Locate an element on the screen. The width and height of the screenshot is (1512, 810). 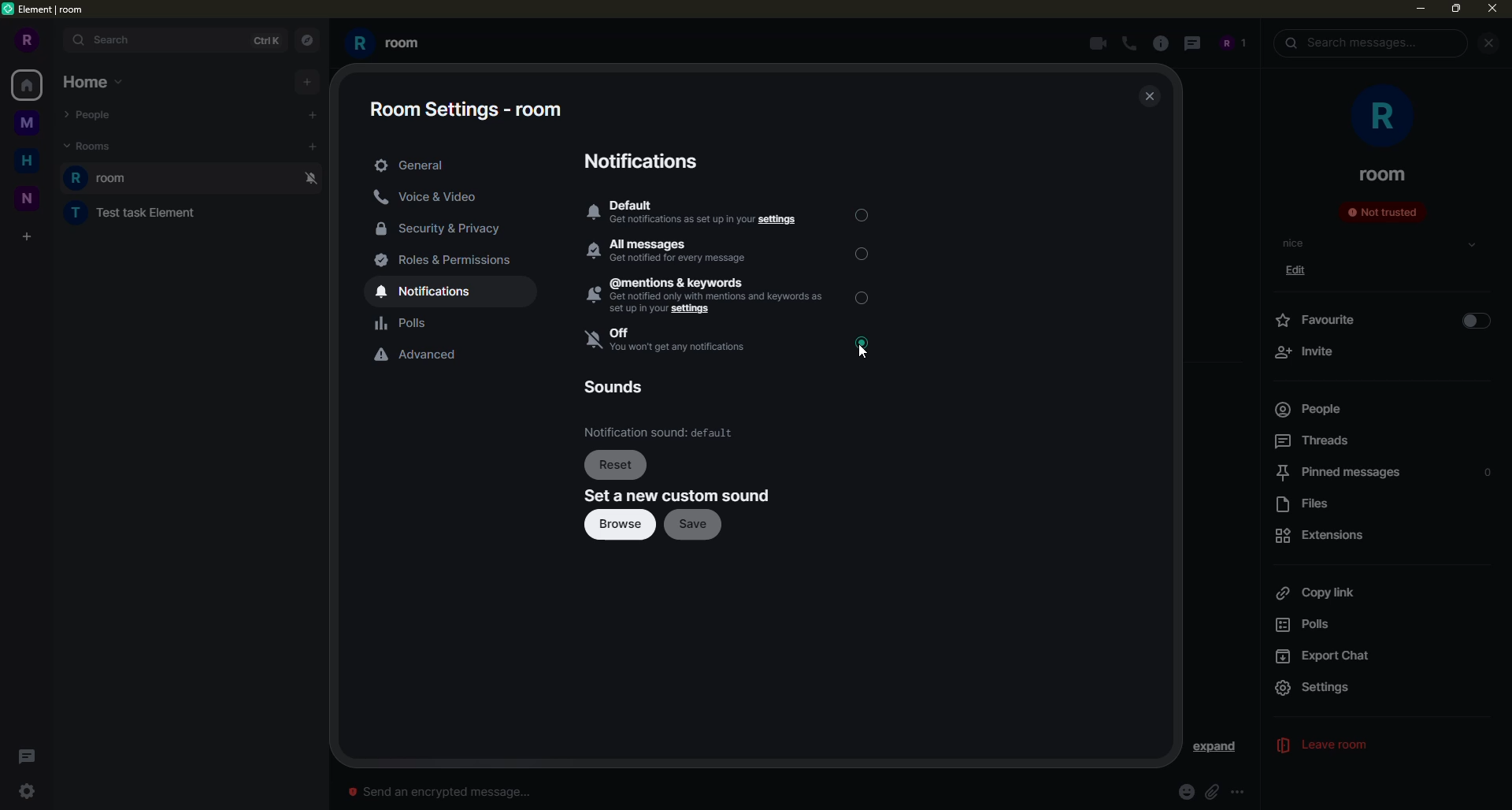
notifications is located at coordinates (432, 292).